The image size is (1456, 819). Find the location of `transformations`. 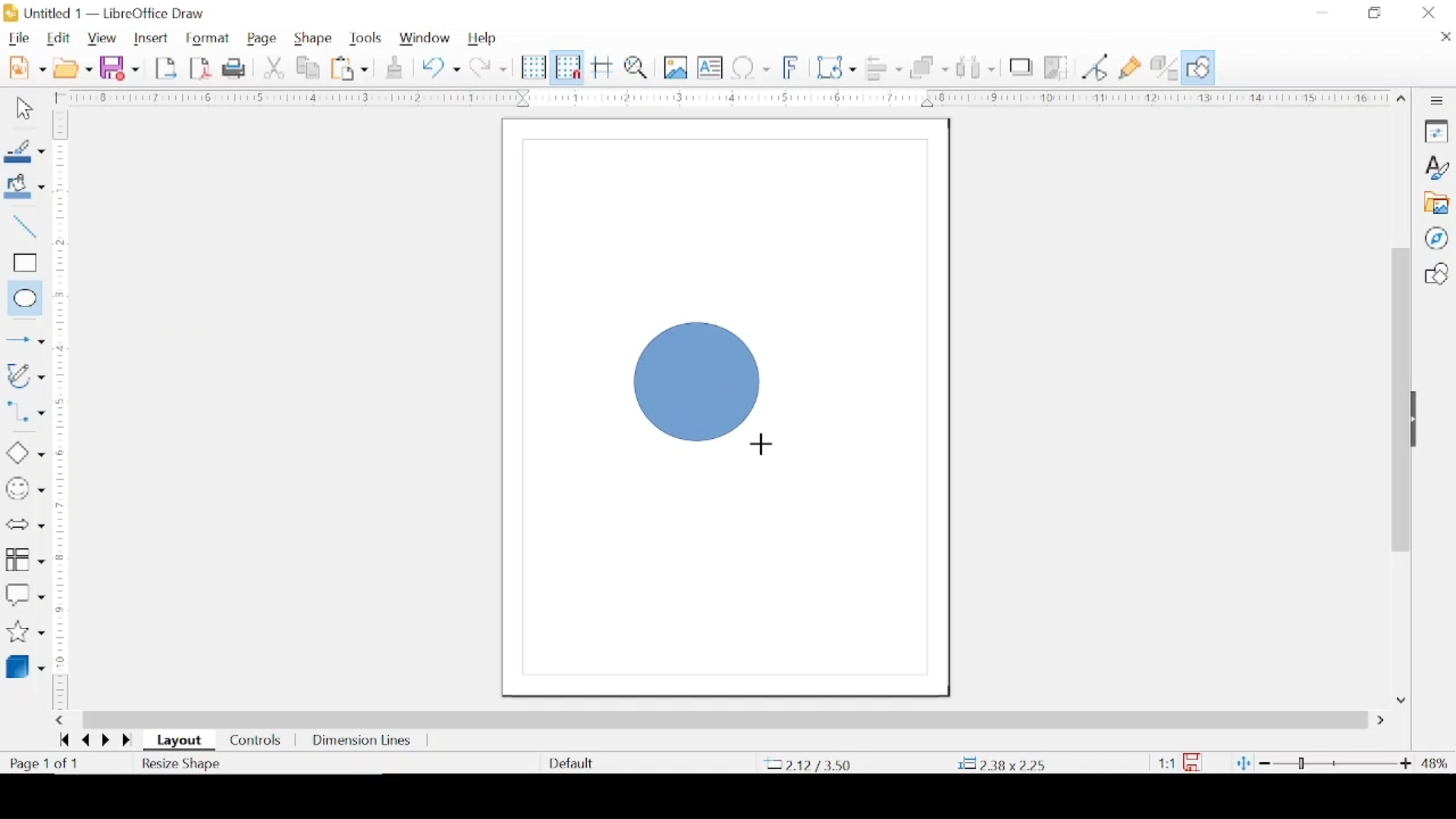

transformations is located at coordinates (837, 67).